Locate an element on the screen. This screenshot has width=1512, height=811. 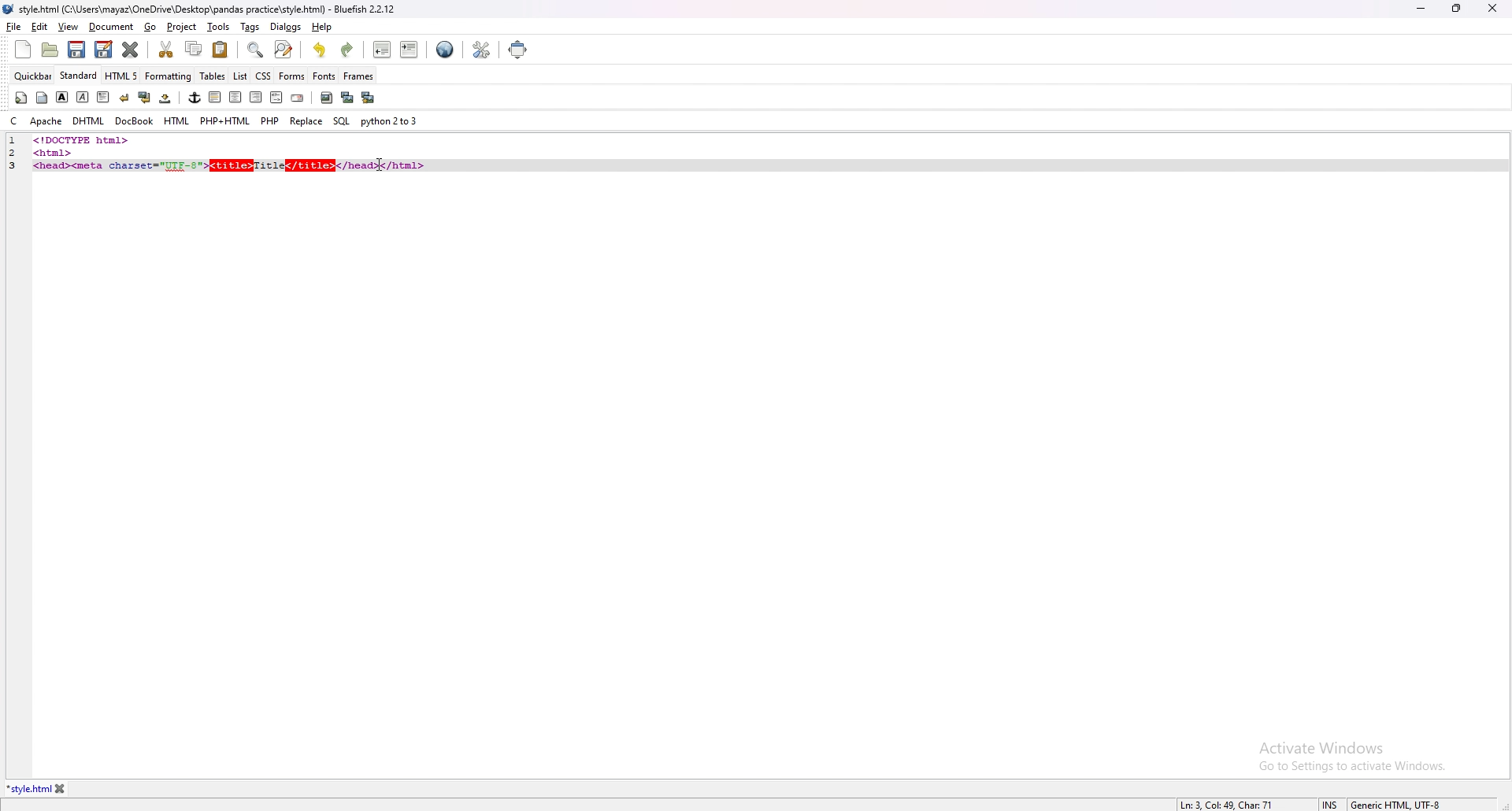
formatting is located at coordinates (169, 76).